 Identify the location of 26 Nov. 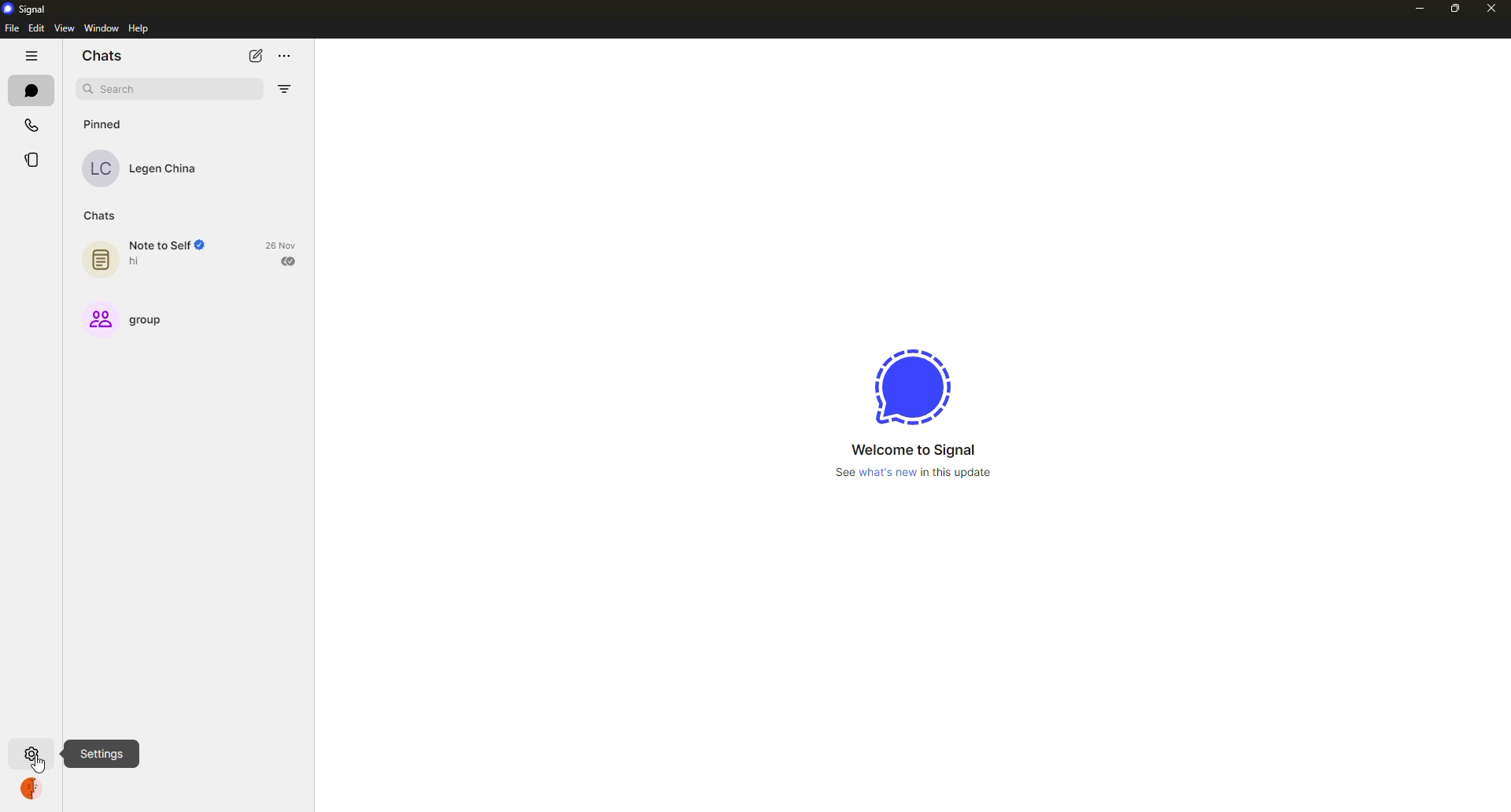
(281, 243).